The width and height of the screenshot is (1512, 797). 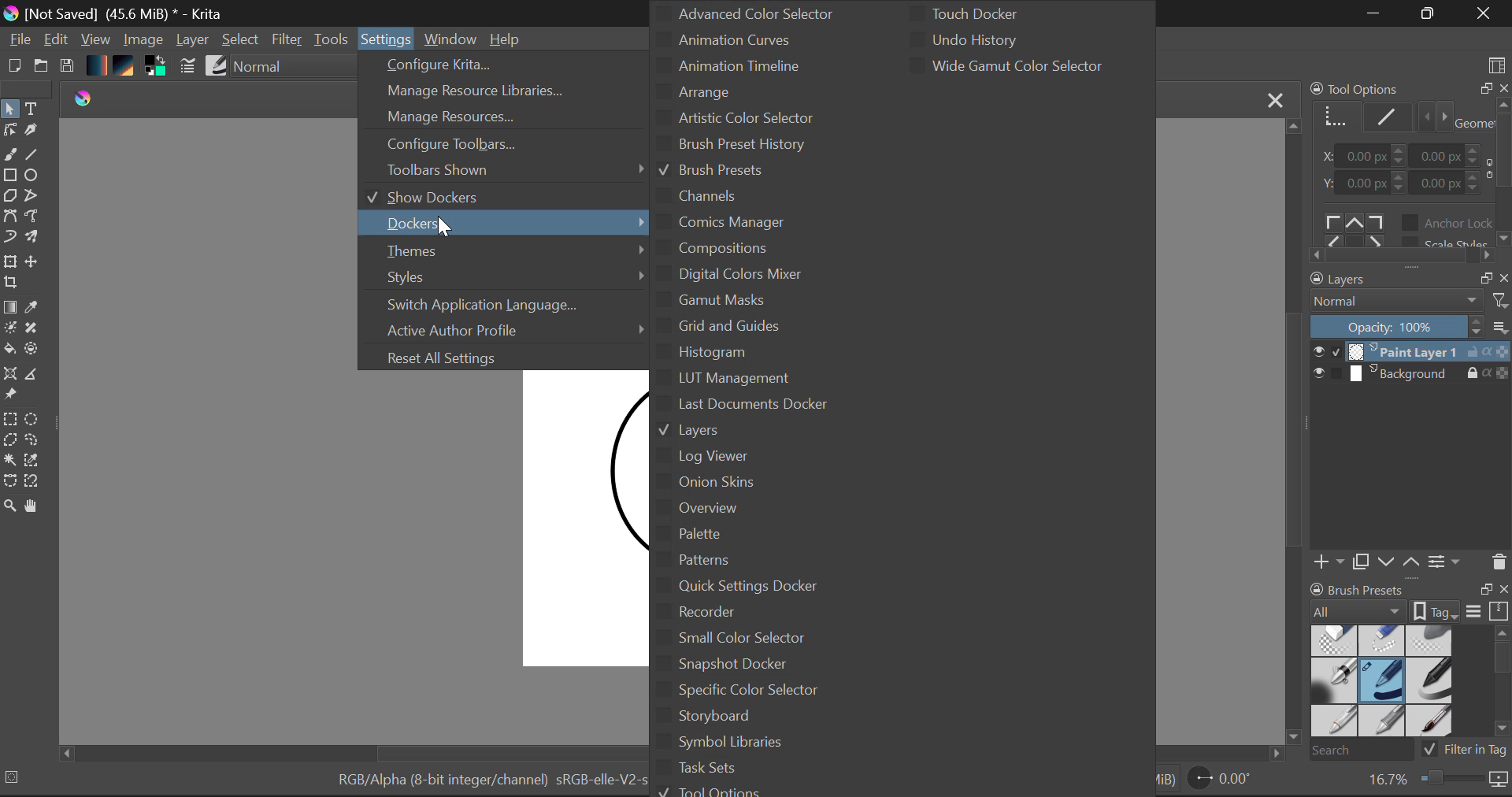 I want to click on Move Layer, so click(x=34, y=262).